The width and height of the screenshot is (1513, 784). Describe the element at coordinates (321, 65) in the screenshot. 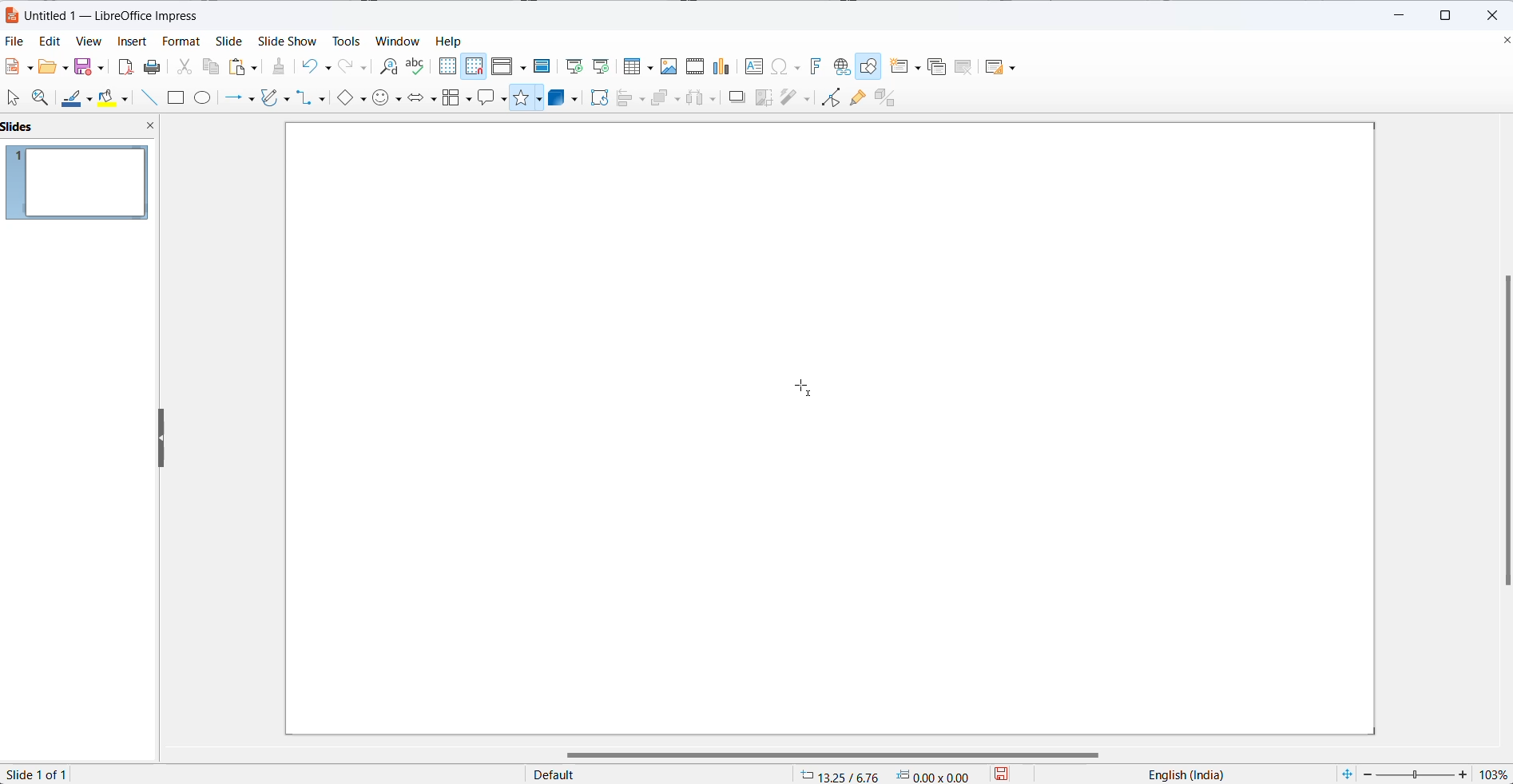

I see `undo` at that location.